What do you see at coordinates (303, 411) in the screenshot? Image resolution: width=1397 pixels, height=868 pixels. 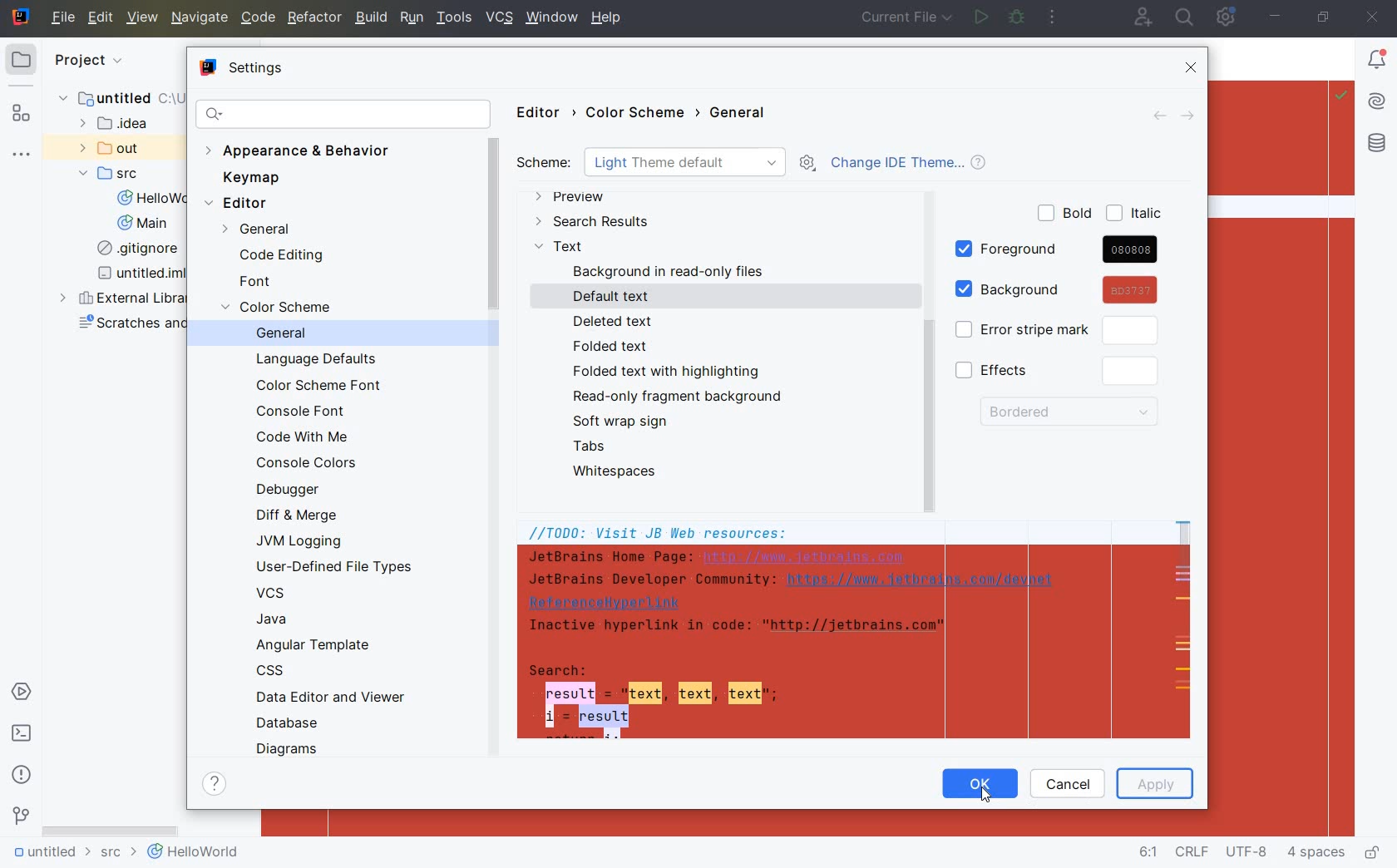 I see `CONSOLE FONT` at bounding box center [303, 411].